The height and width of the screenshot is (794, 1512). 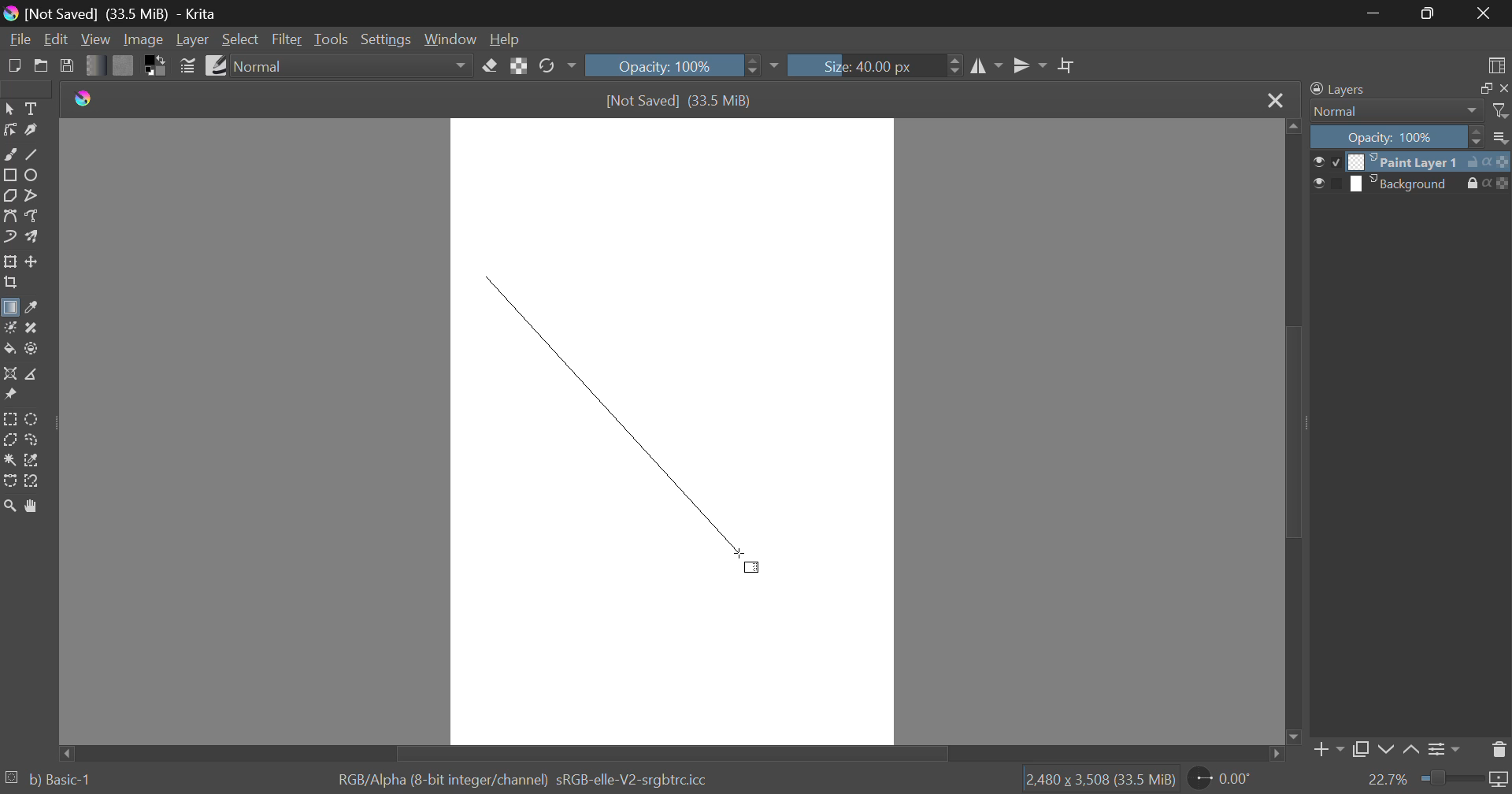 I want to click on Image, so click(x=142, y=39).